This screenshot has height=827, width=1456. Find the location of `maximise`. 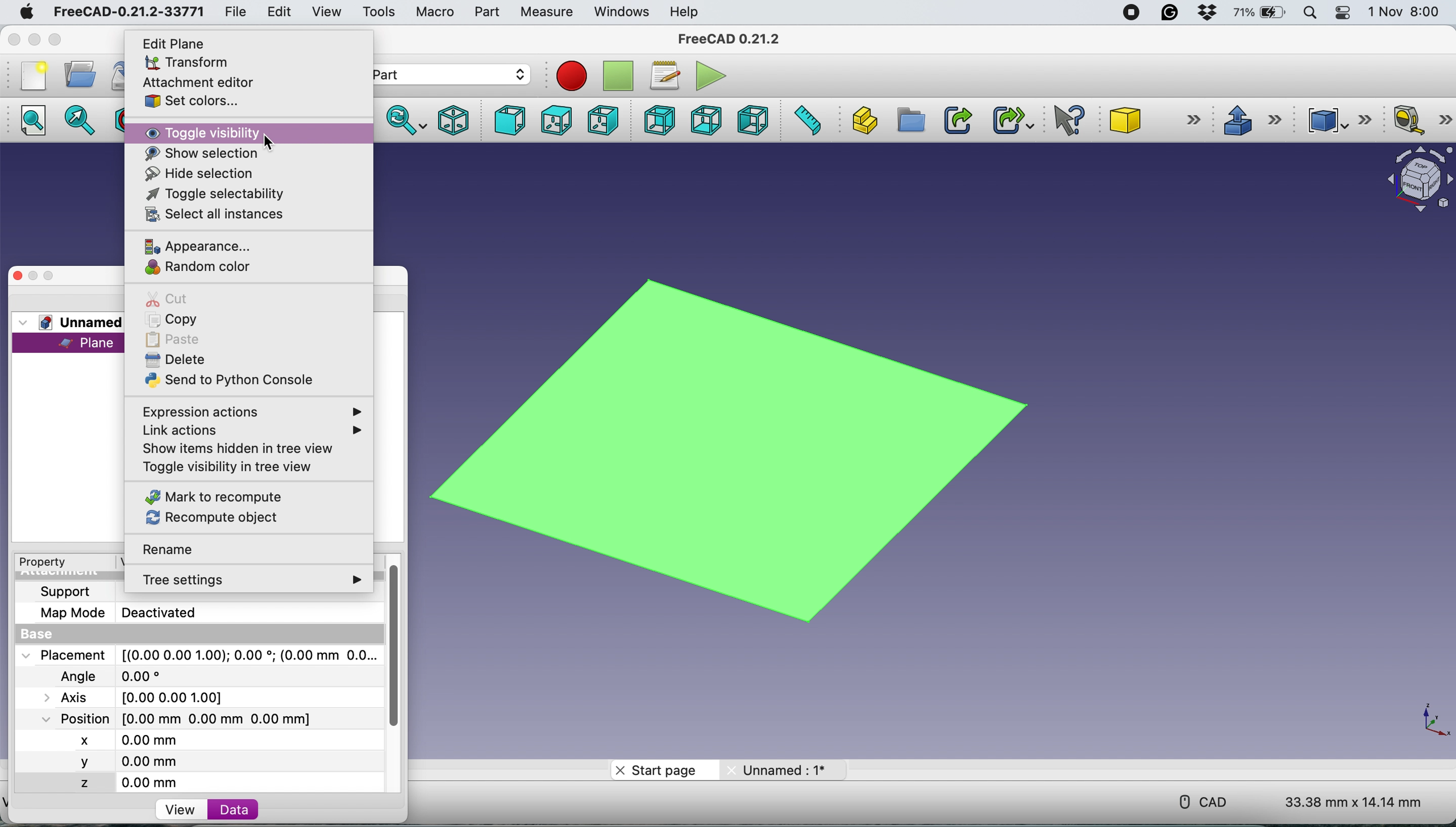

maximise is located at coordinates (57, 40).